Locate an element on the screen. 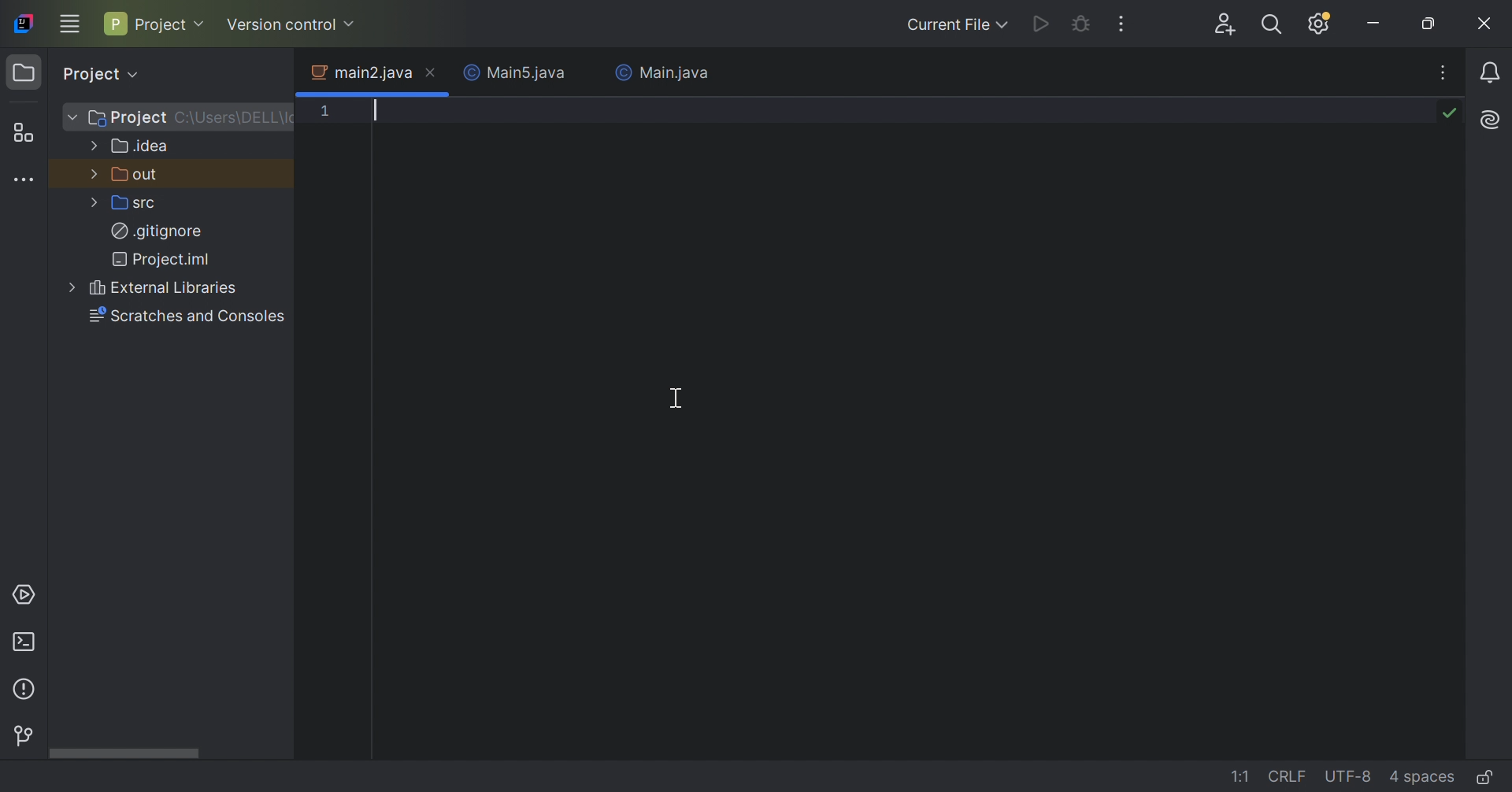  Scratches and consoles is located at coordinates (187, 316).